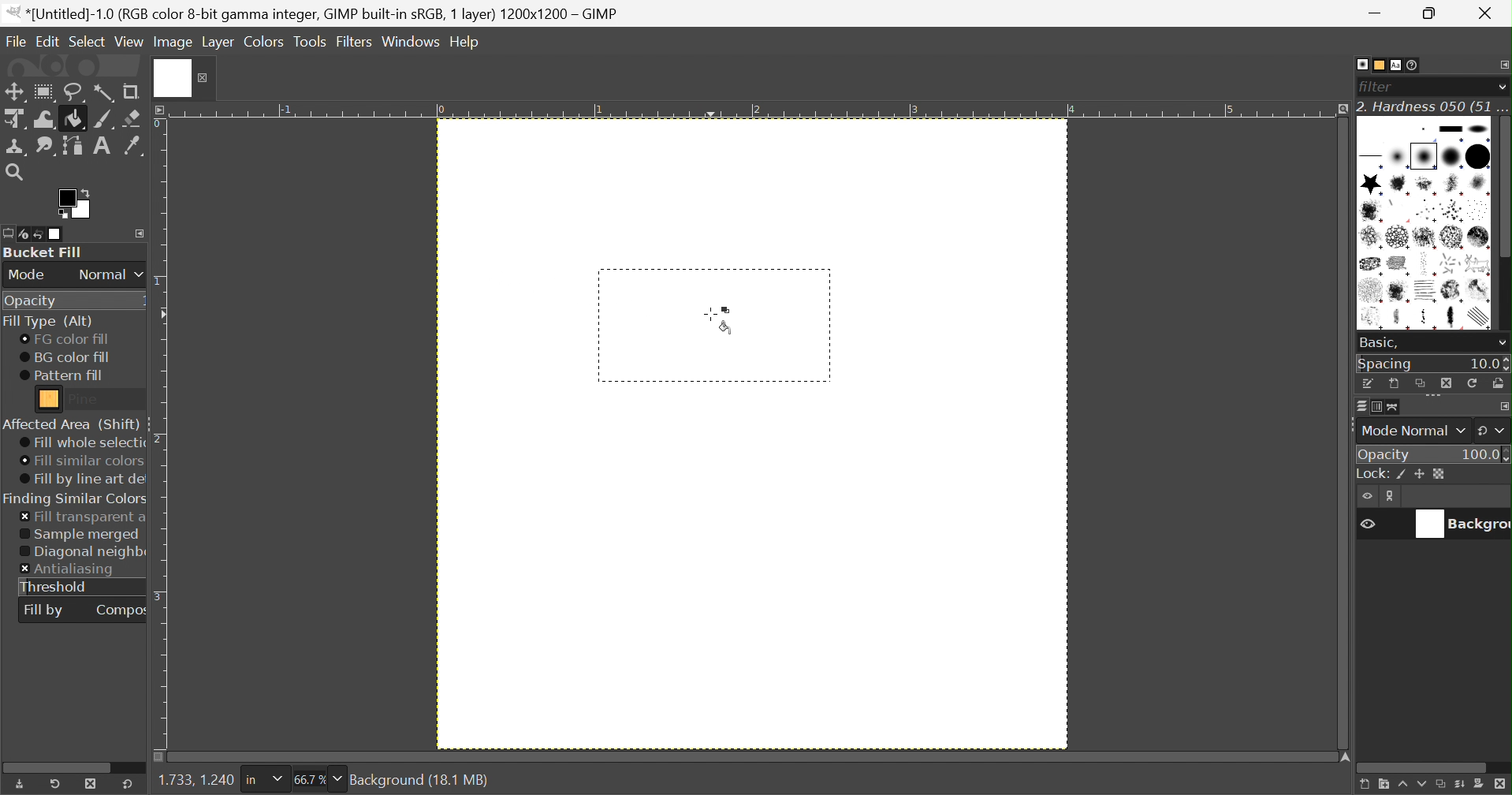  What do you see at coordinates (1369, 383) in the screenshot?
I see `Edit this brush` at bounding box center [1369, 383].